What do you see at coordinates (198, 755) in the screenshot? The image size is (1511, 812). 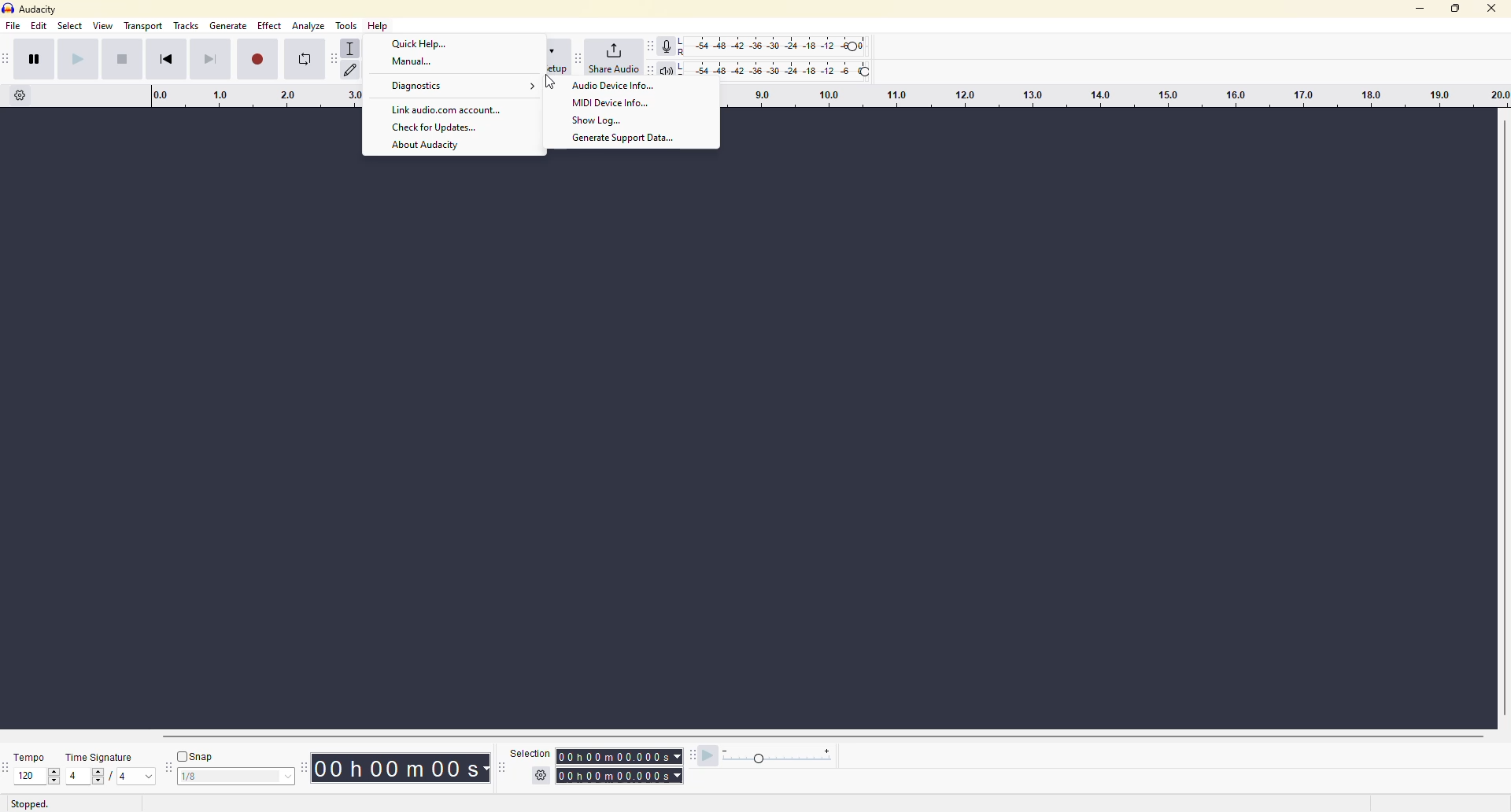 I see `snap` at bounding box center [198, 755].